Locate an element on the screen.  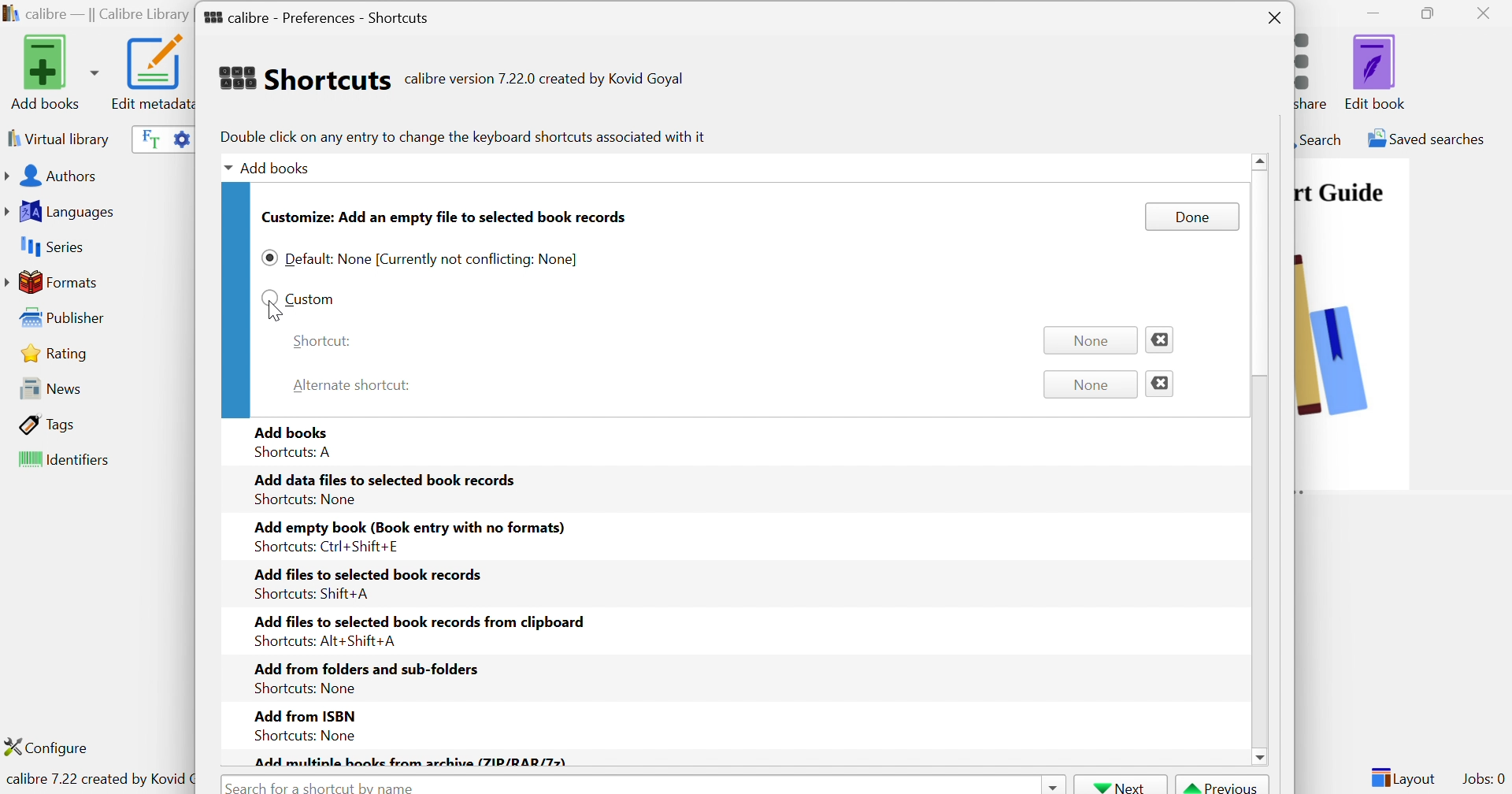
Publisher is located at coordinates (66, 318).